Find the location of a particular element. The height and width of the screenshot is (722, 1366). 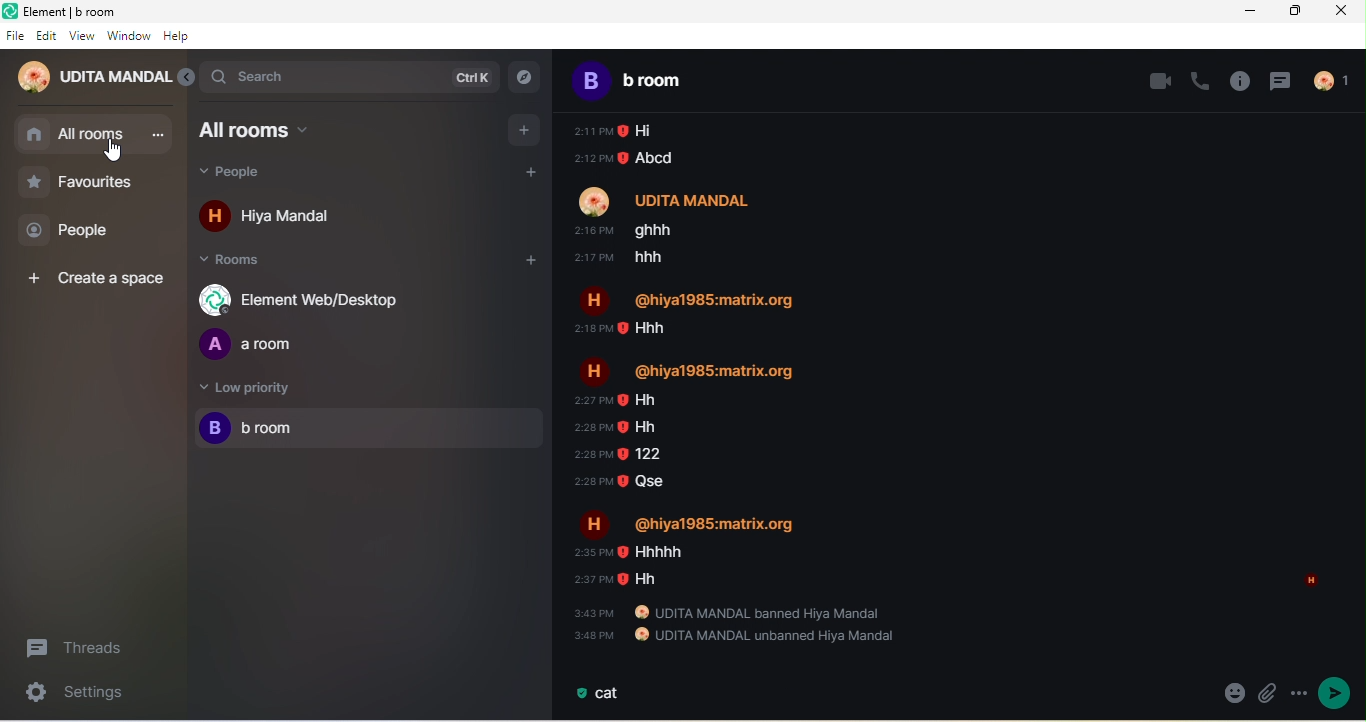

maximize is located at coordinates (1300, 12).